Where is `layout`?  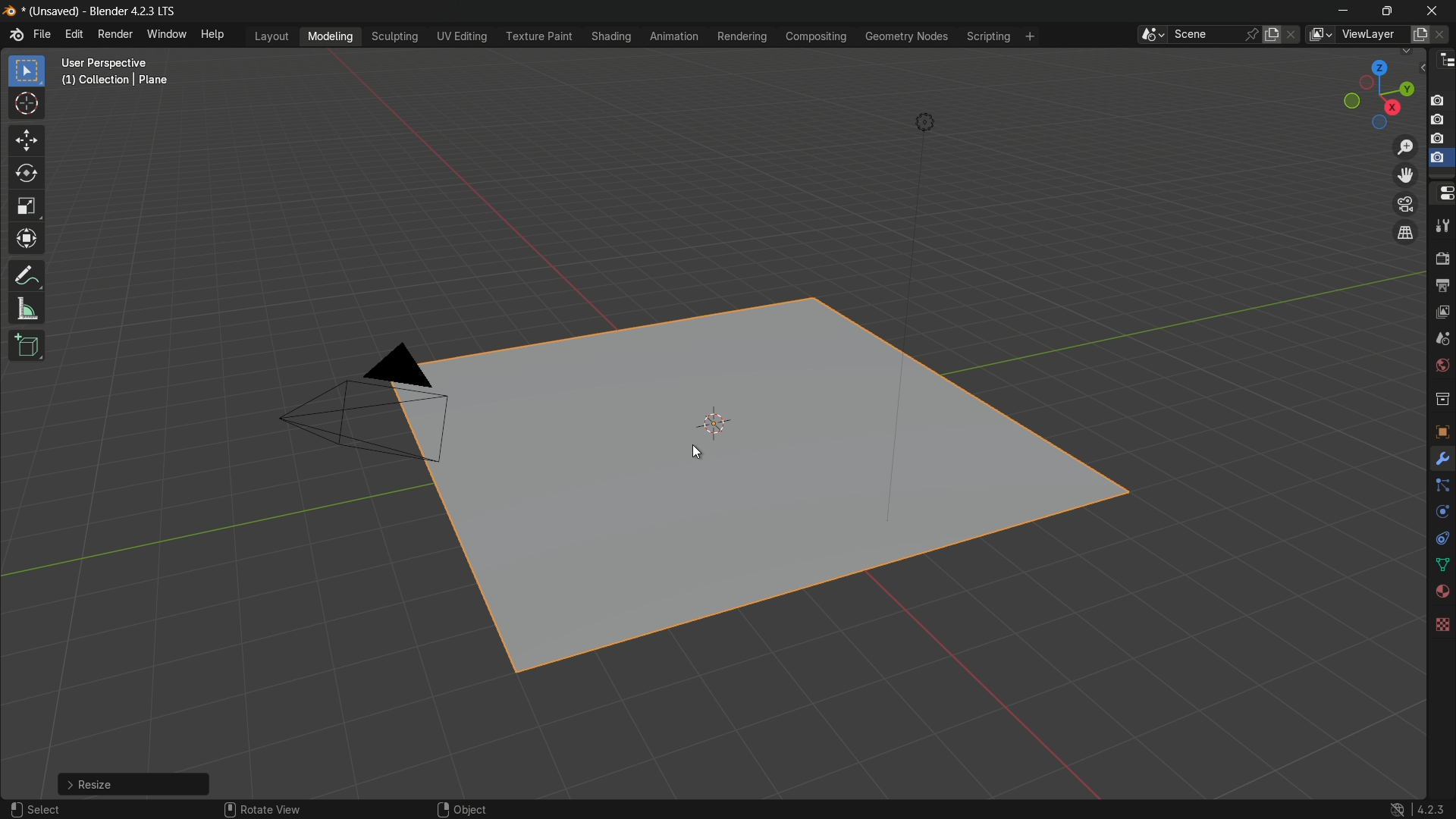 layout is located at coordinates (275, 35).